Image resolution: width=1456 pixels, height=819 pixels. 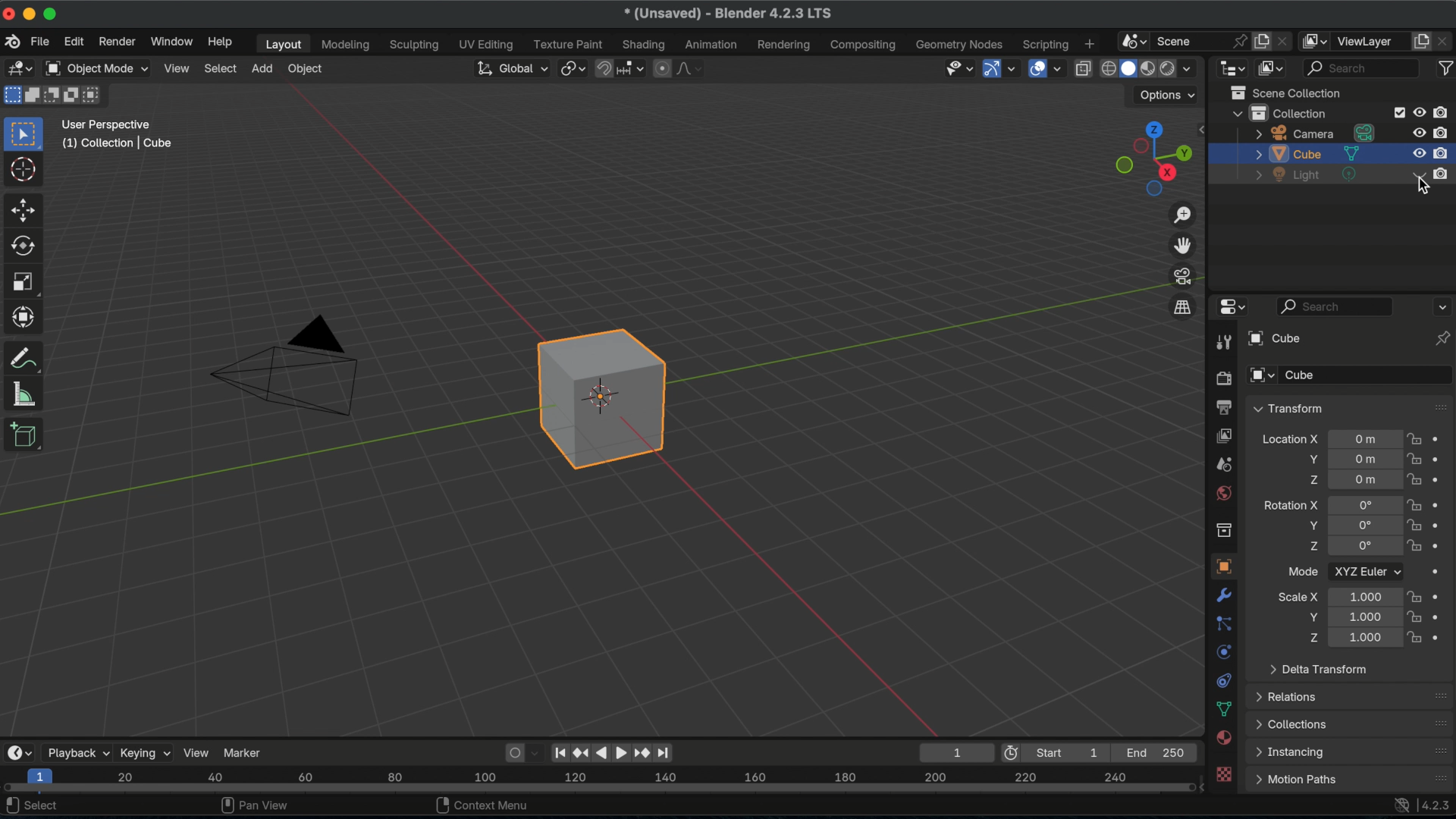 What do you see at coordinates (1417, 130) in the screenshot?
I see `hide in viewport` at bounding box center [1417, 130].